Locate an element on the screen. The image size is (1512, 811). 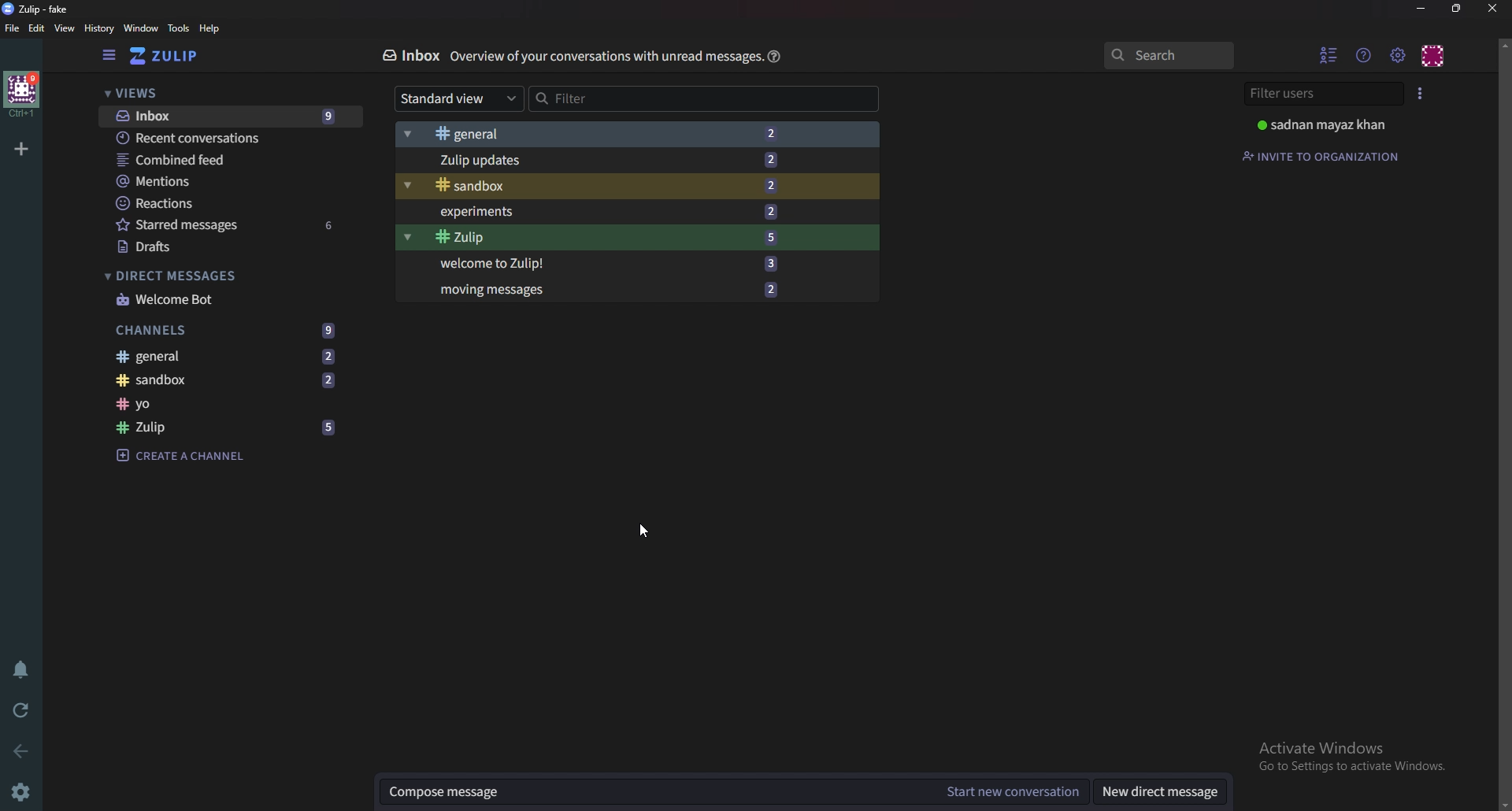
Create a channel is located at coordinates (191, 456).